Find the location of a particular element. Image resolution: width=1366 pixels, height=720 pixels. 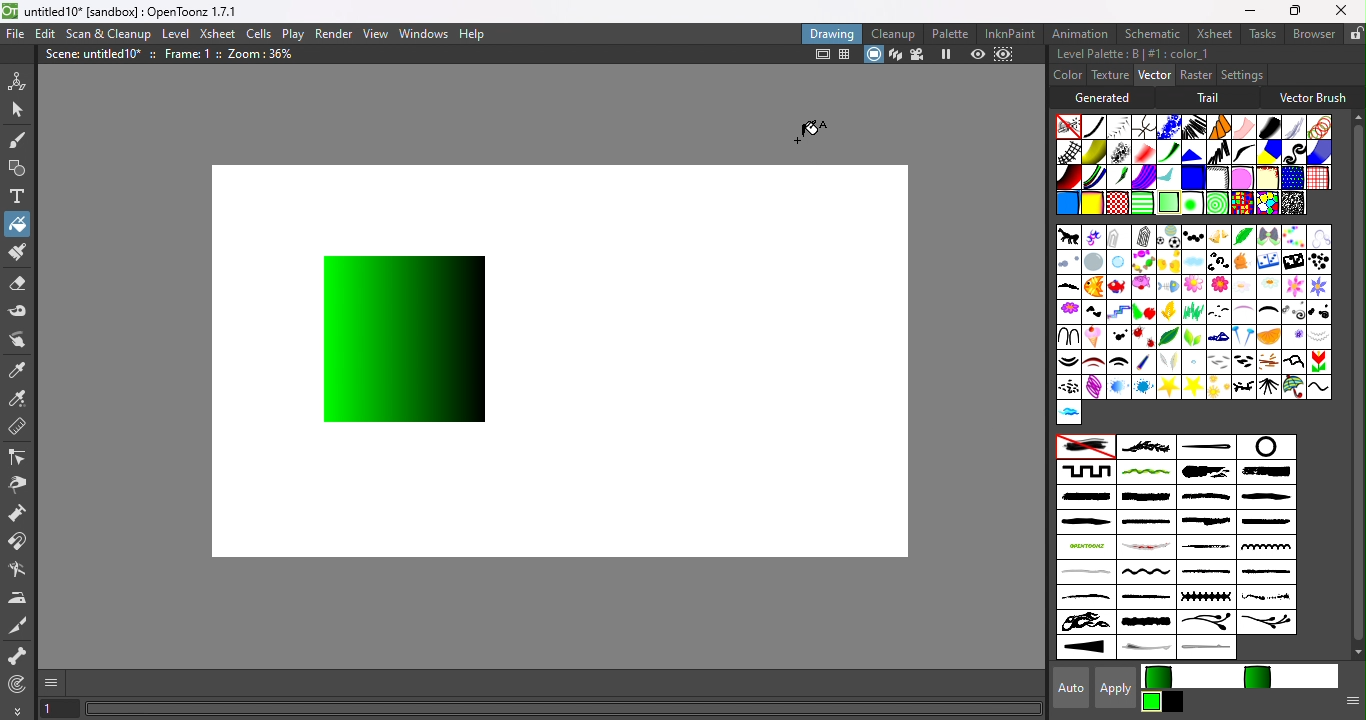

Bubb2 is located at coordinates (1094, 263).